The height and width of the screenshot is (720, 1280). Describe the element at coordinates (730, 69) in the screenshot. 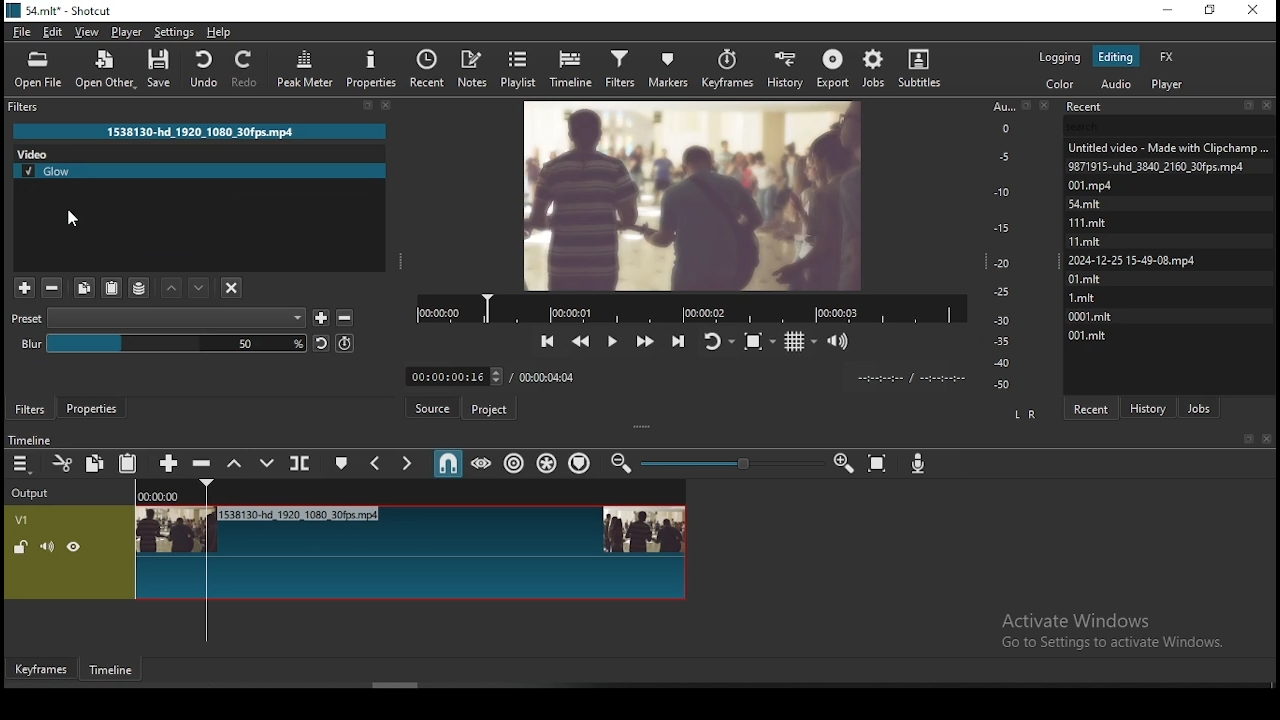

I see `keyframes` at that location.